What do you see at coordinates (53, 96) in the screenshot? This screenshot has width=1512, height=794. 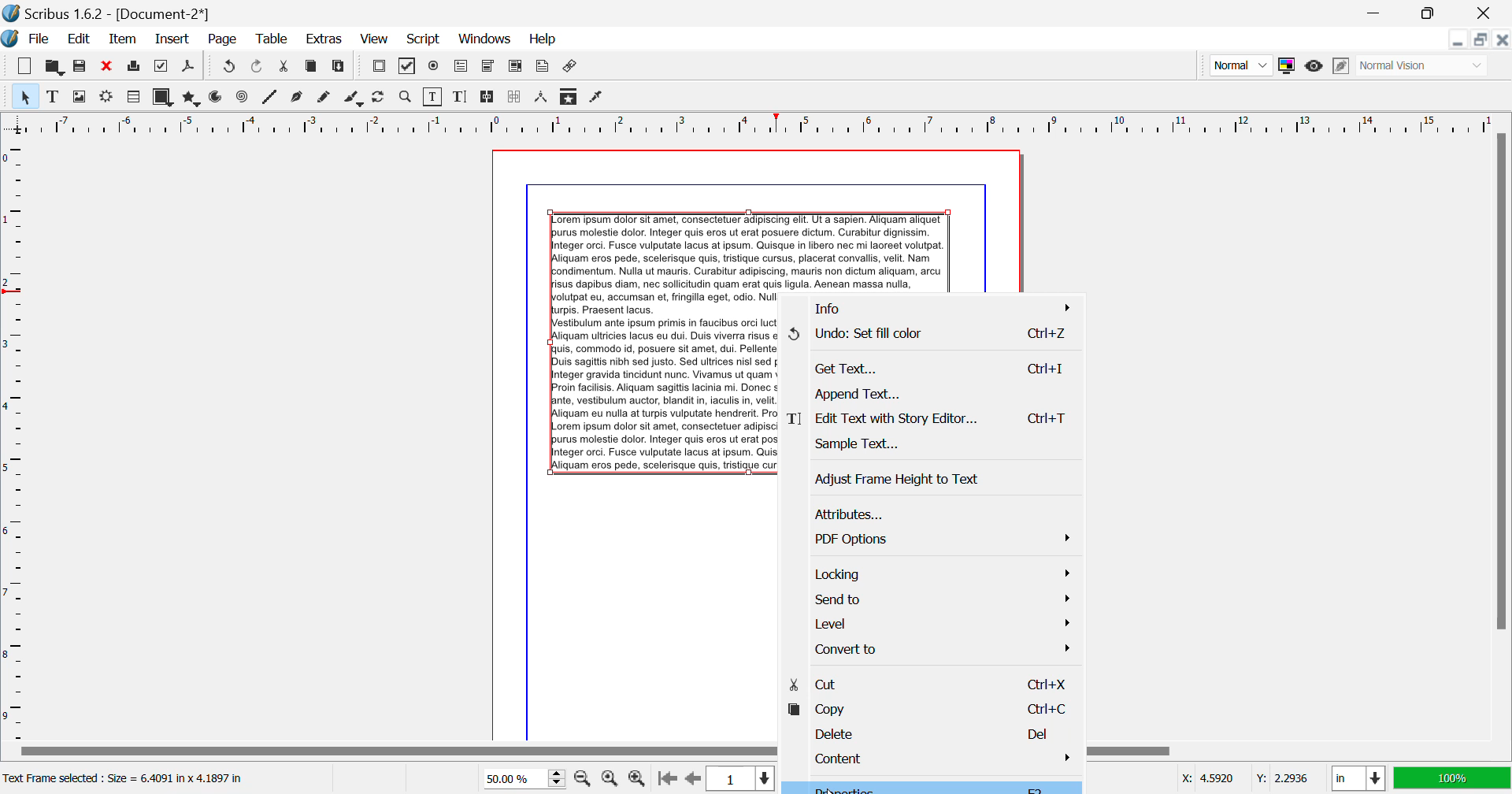 I see `Text Frame` at bounding box center [53, 96].